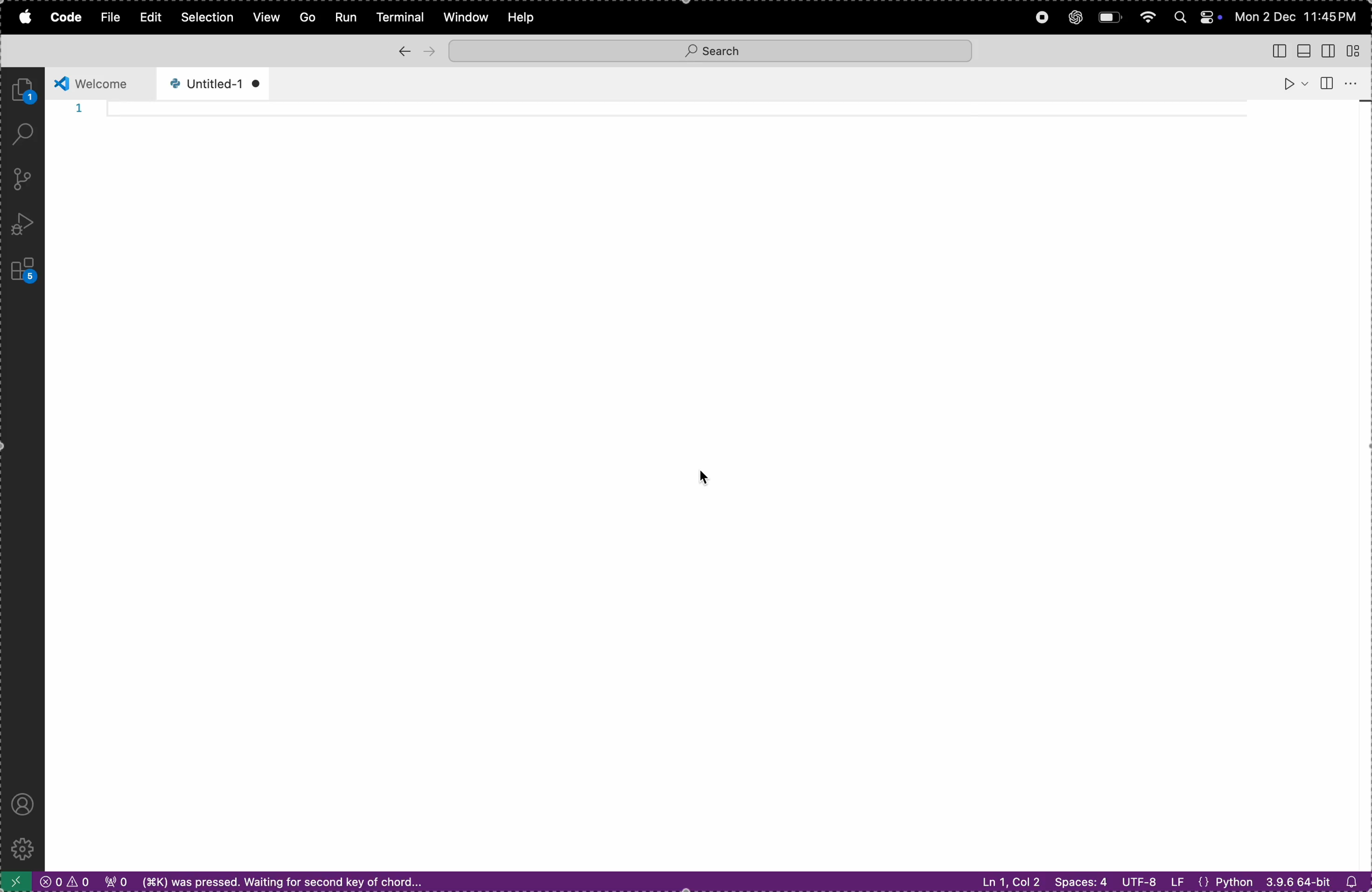 This screenshot has width=1372, height=892. What do you see at coordinates (1305, 51) in the screenshot?
I see `toggle panel` at bounding box center [1305, 51].